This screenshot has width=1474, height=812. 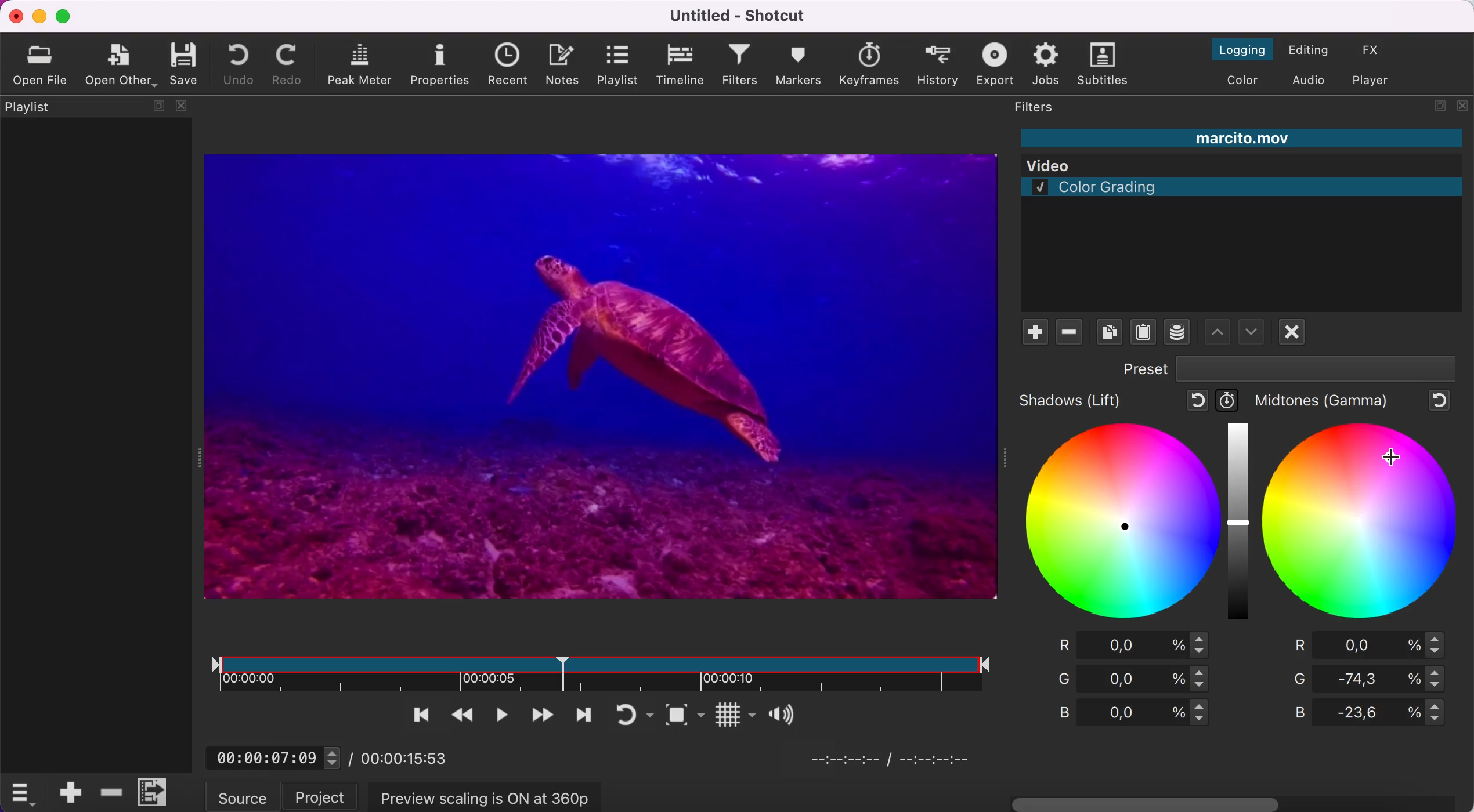 What do you see at coordinates (591, 670) in the screenshot?
I see `clip duration` at bounding box center [591, 670].